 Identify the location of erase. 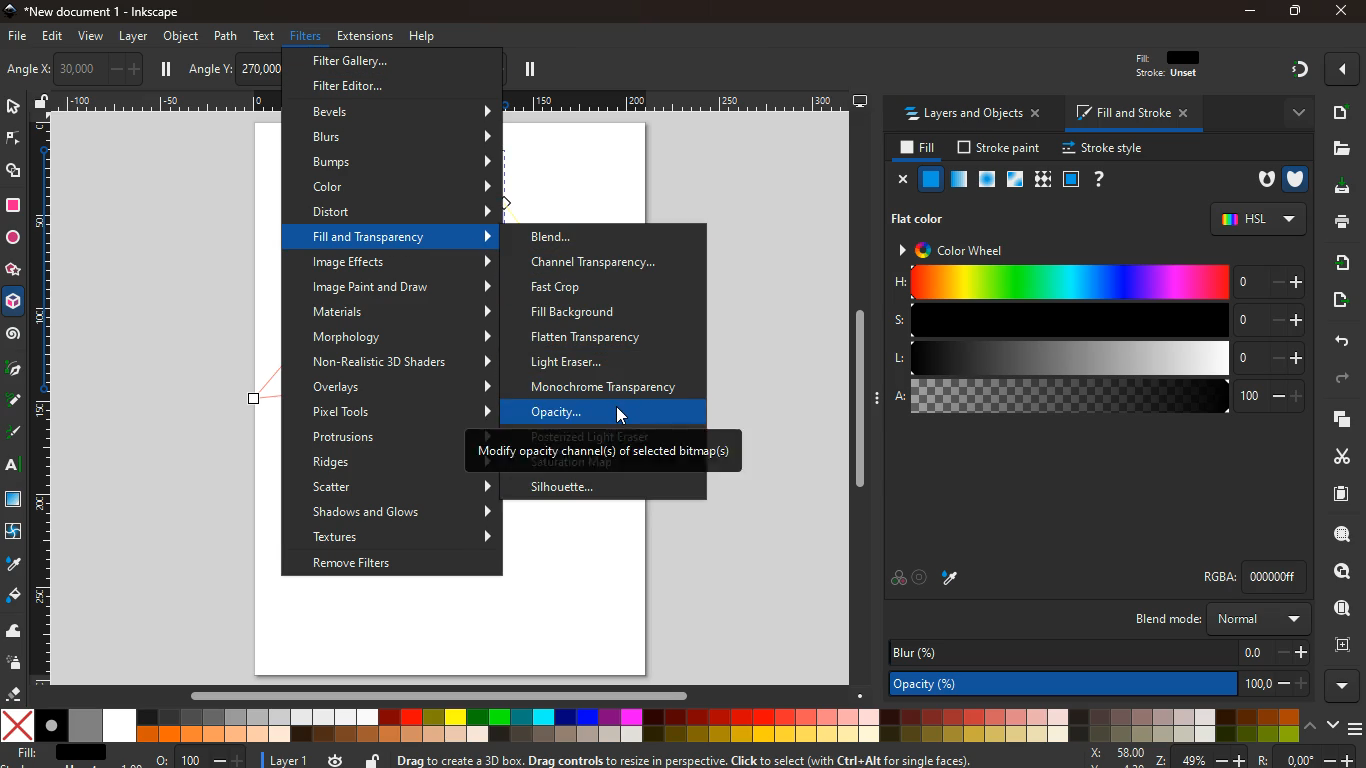
(15, 694).